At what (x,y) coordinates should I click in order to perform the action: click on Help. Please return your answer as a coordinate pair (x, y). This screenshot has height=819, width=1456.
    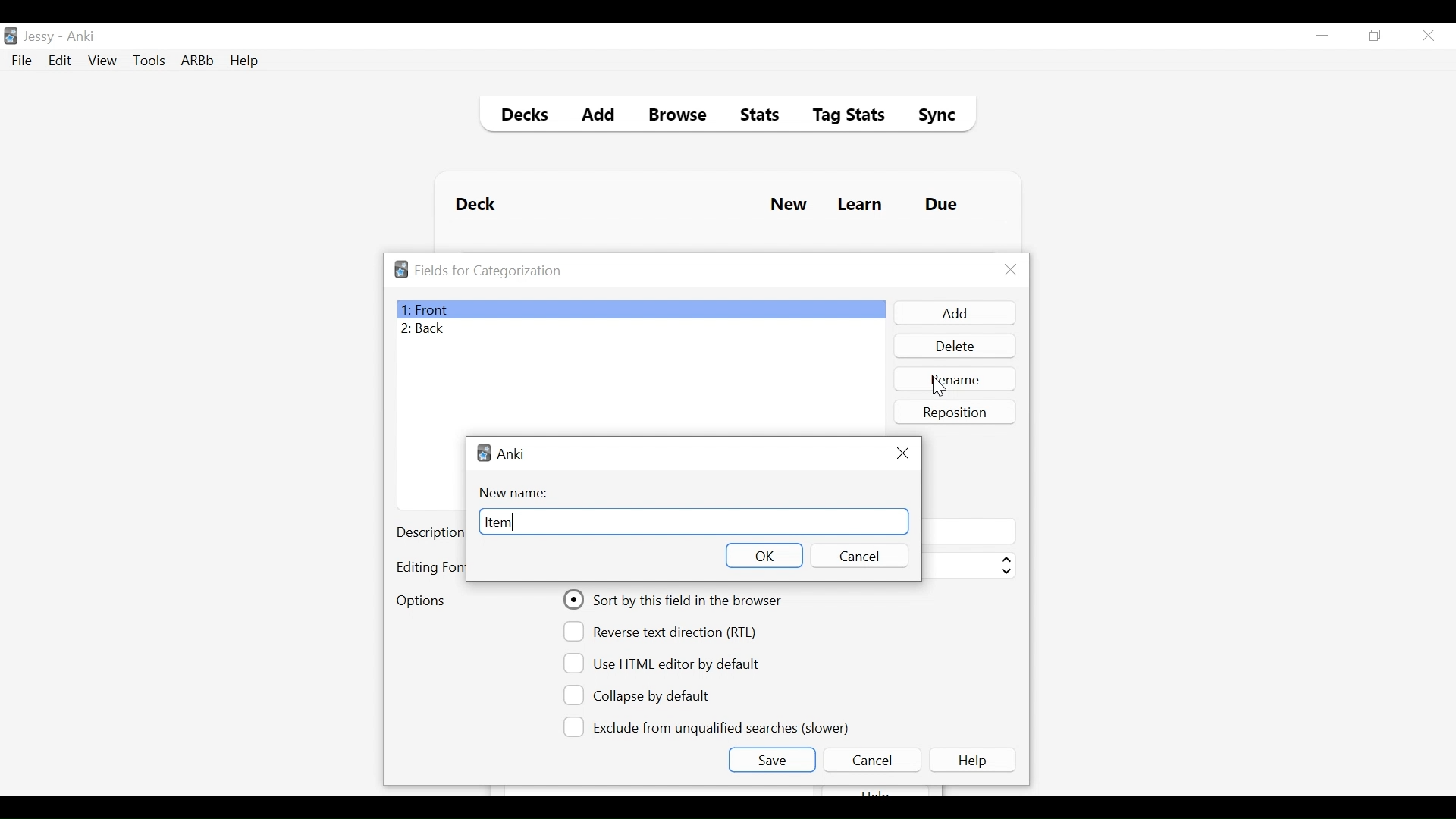
    Looking at the image, I should click on (243, 62).